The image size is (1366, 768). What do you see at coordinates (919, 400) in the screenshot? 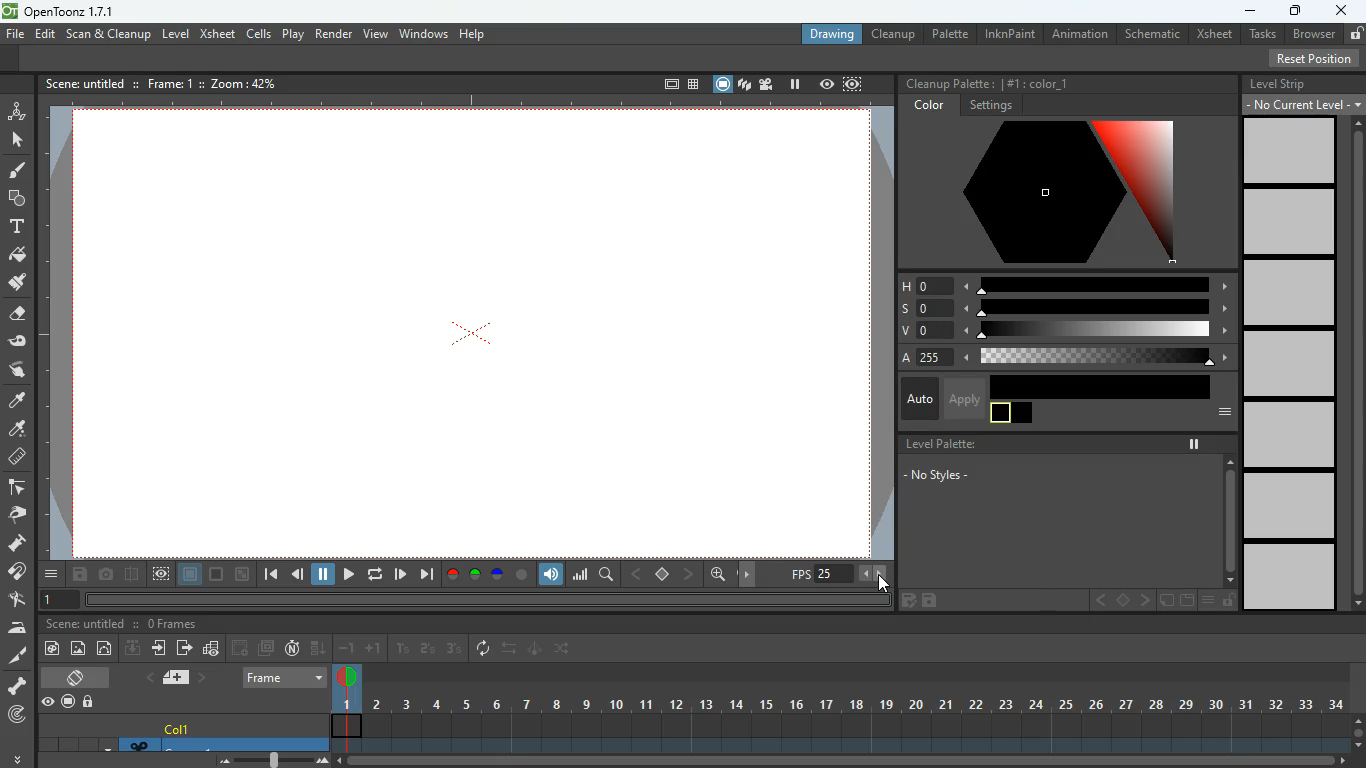
I see `auto` at bounding box center [919, 400].